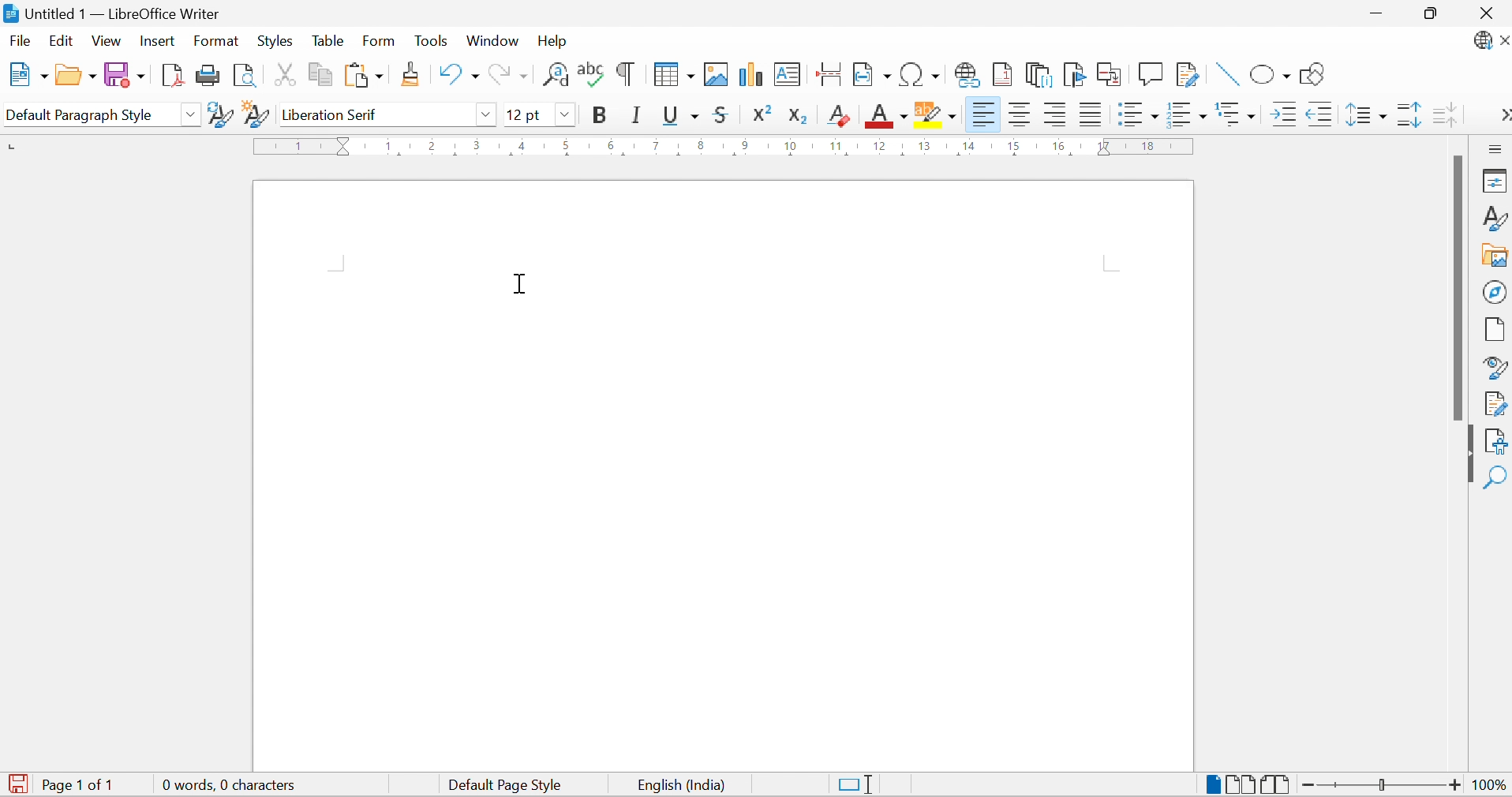 The height and width of the screenshot is (797, 1512). Describe the element at coordinates (871, 73) in the screenshot. I see `Insert Field` at that location.